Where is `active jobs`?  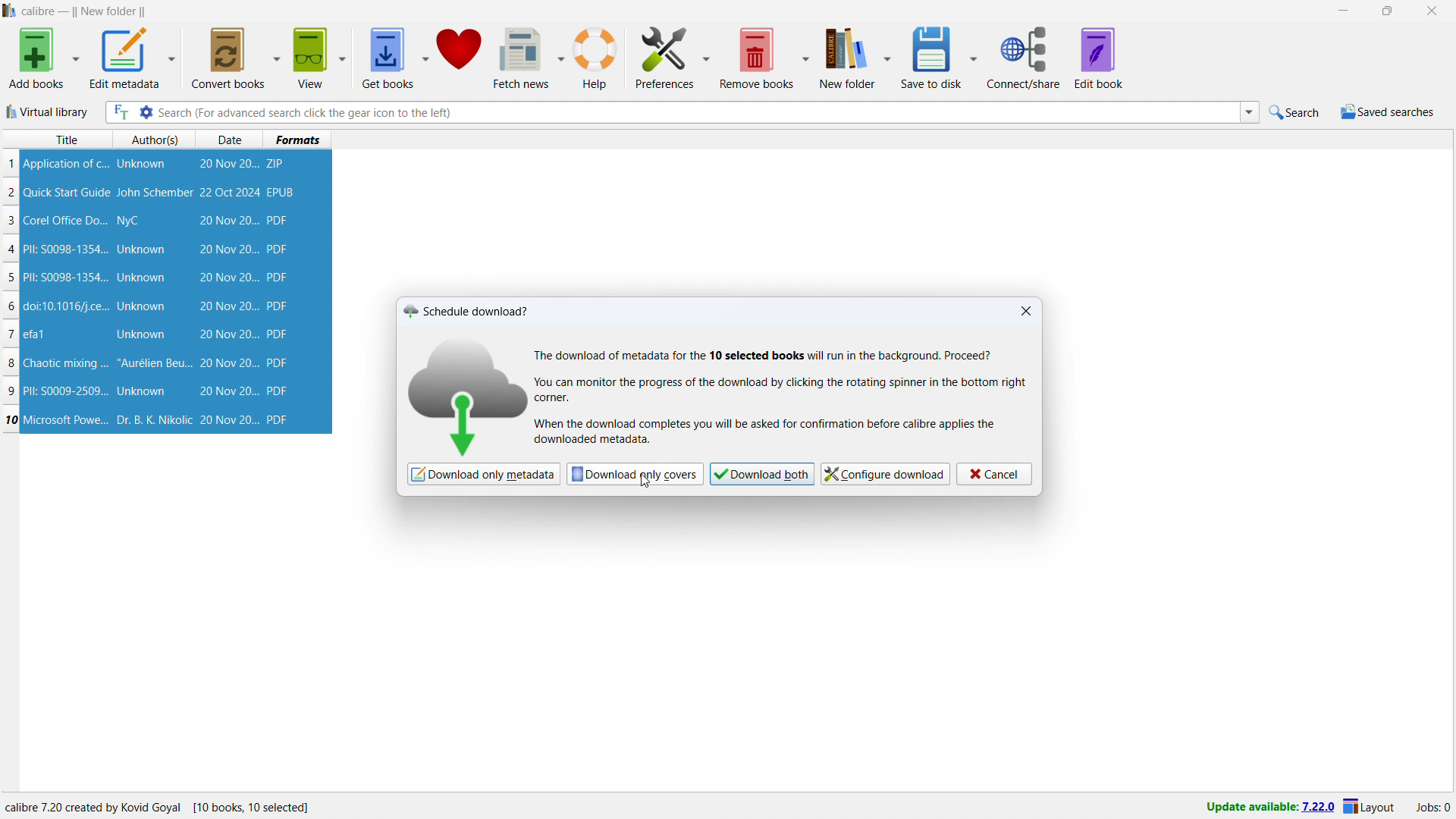 active jobs is located at coordinates (1434, 808).